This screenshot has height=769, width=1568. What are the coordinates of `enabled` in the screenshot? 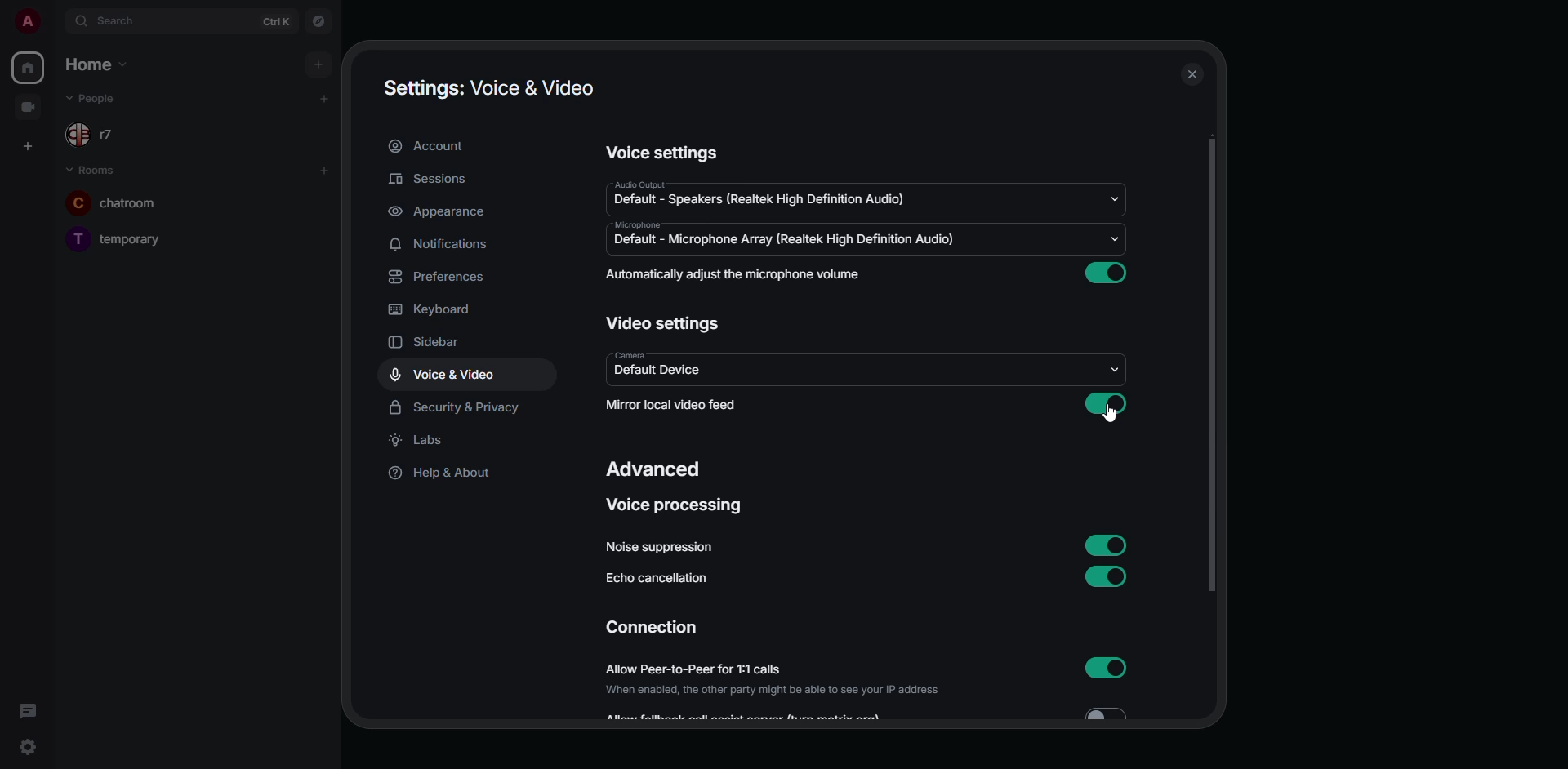 It's located at (1108, 576).